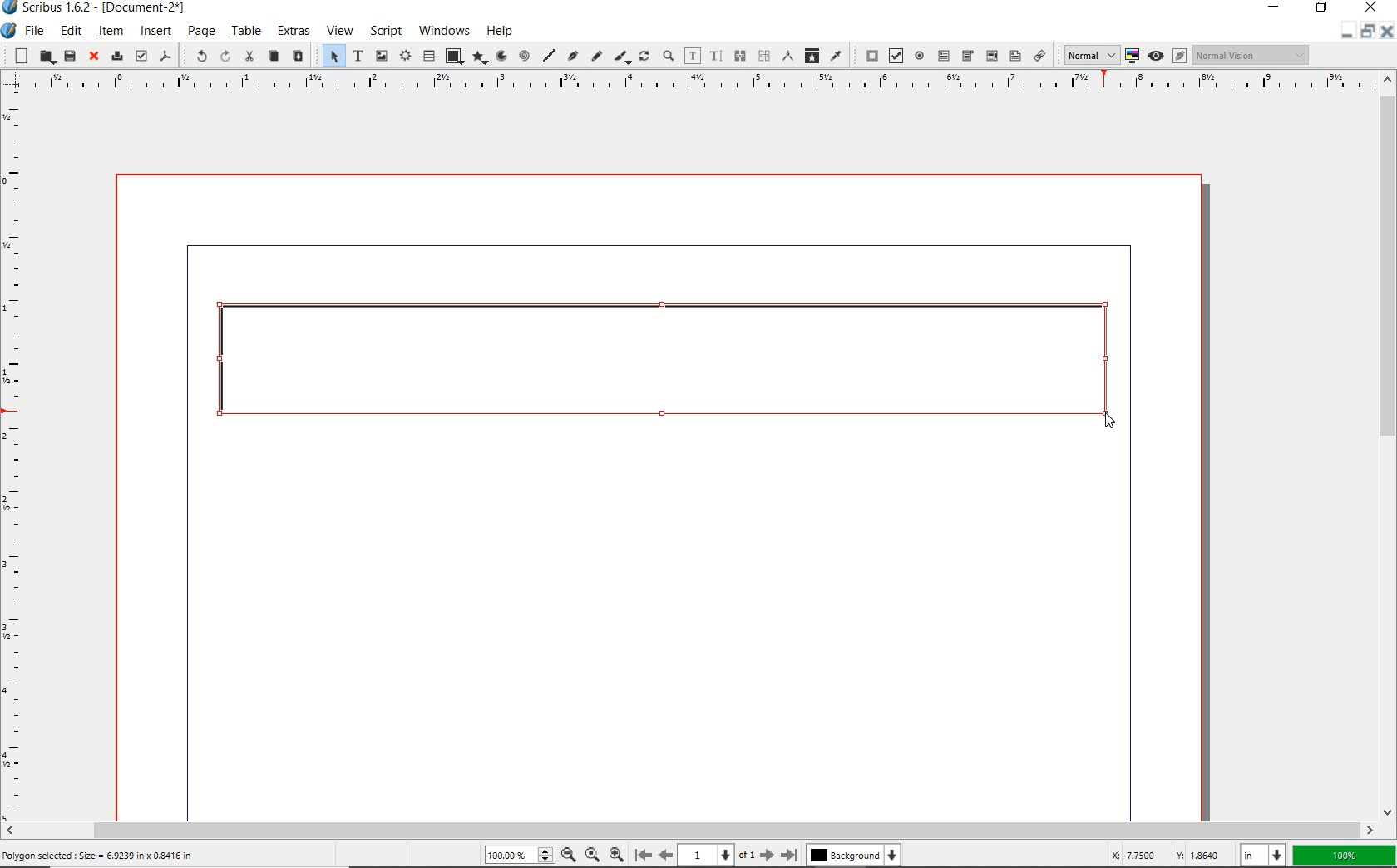  I want to click on pdf list box, so click(1014, 55).